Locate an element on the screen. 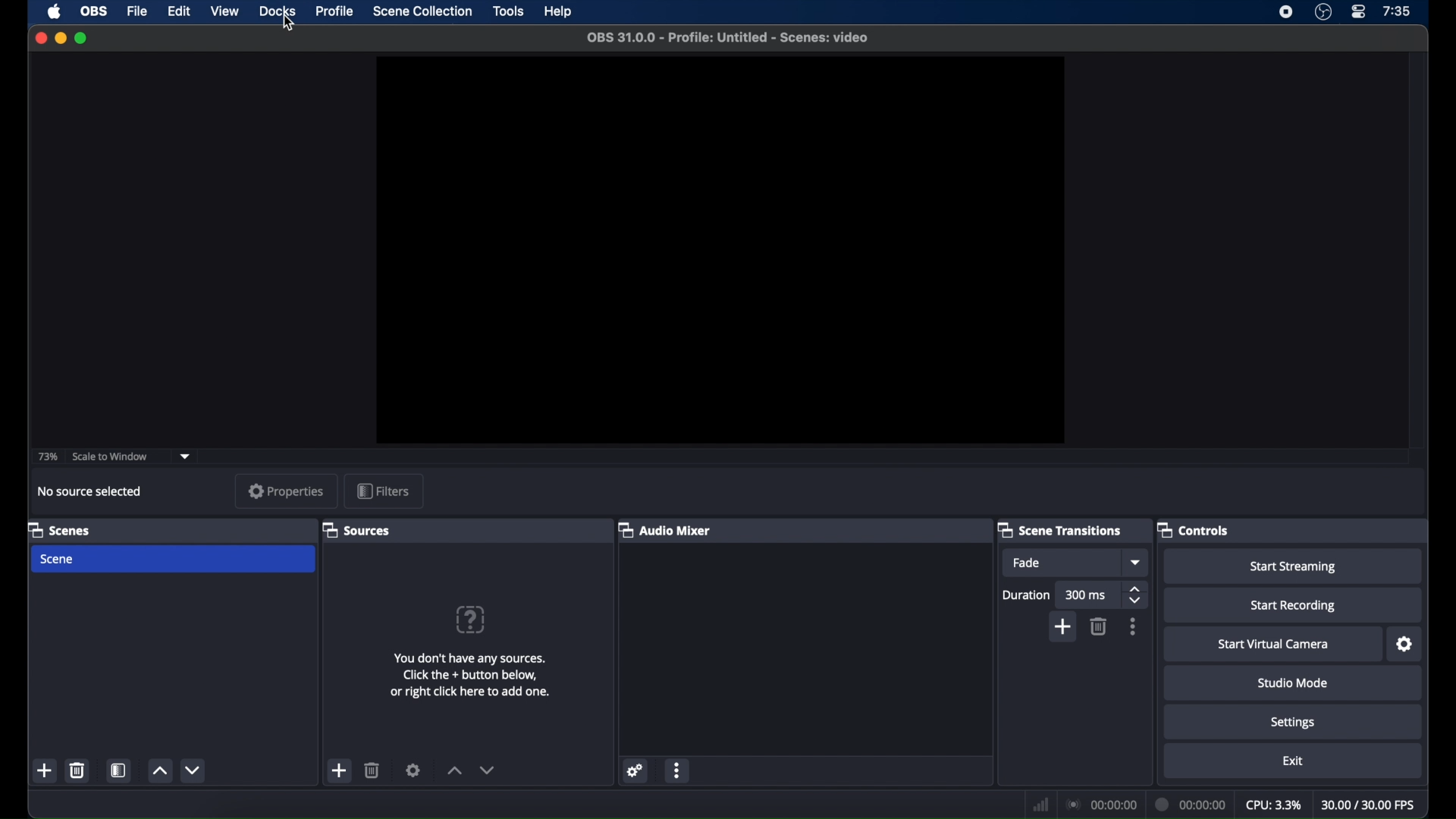  obs is located at coordinates (94, 12).